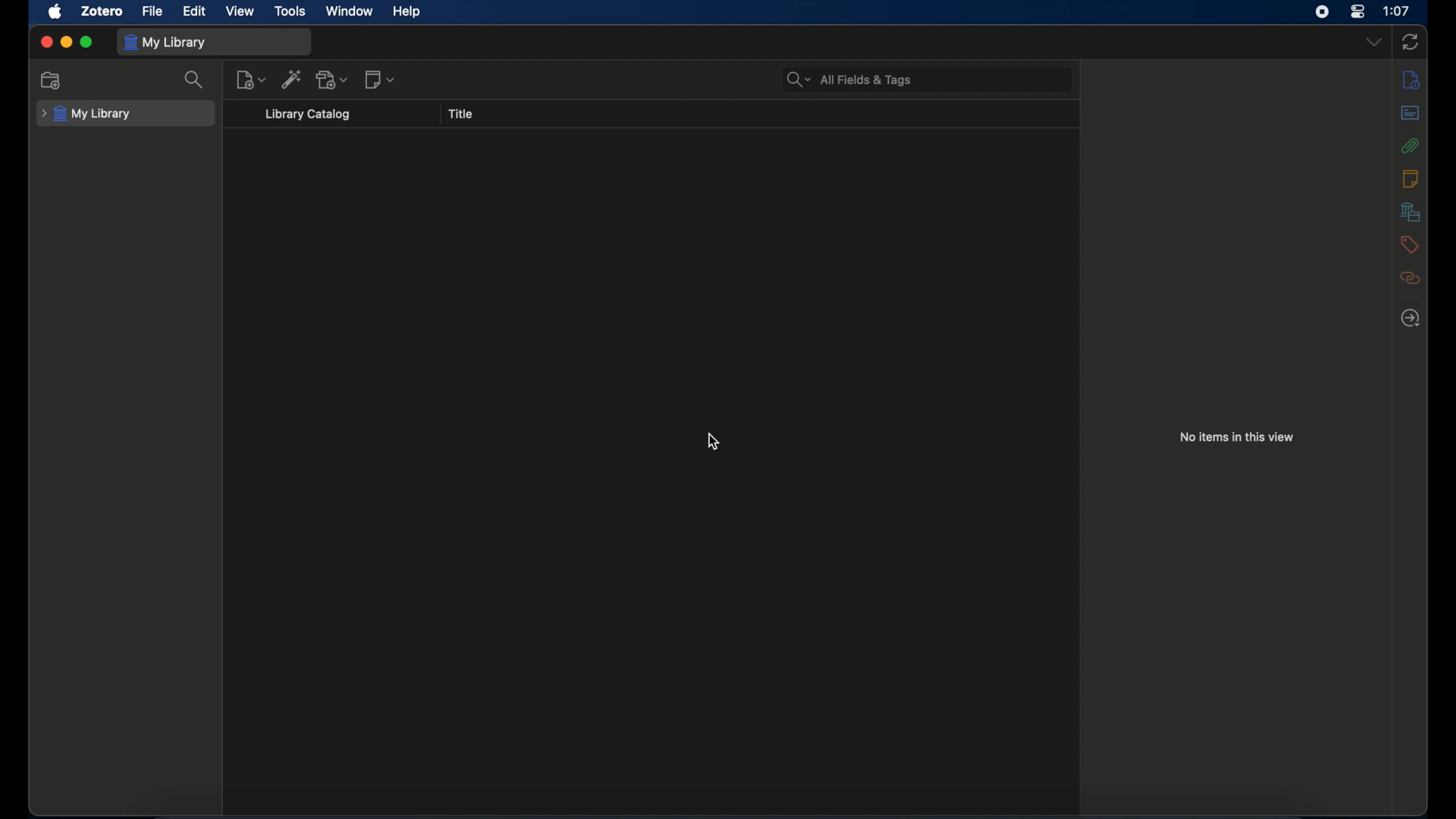  I want to click on new item, so click(250, 80).